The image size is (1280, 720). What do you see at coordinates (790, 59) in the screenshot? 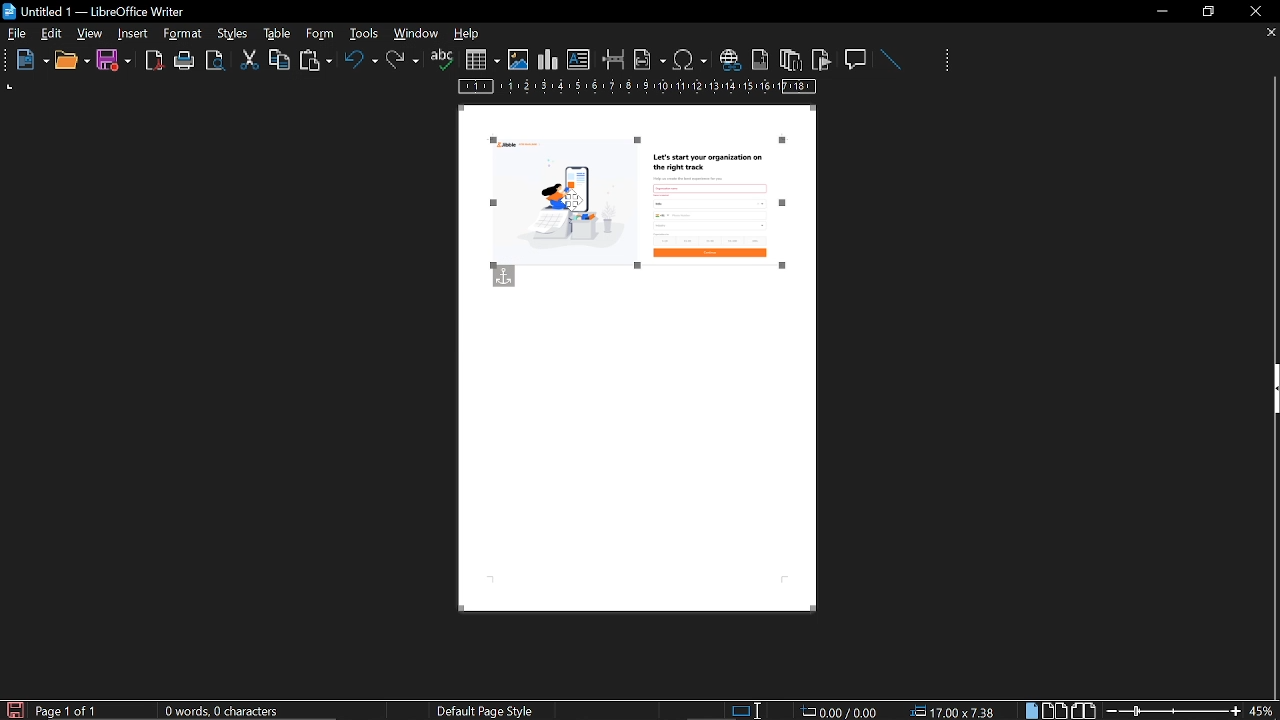
I see `insert endnote` at bounding box center [790, 59].